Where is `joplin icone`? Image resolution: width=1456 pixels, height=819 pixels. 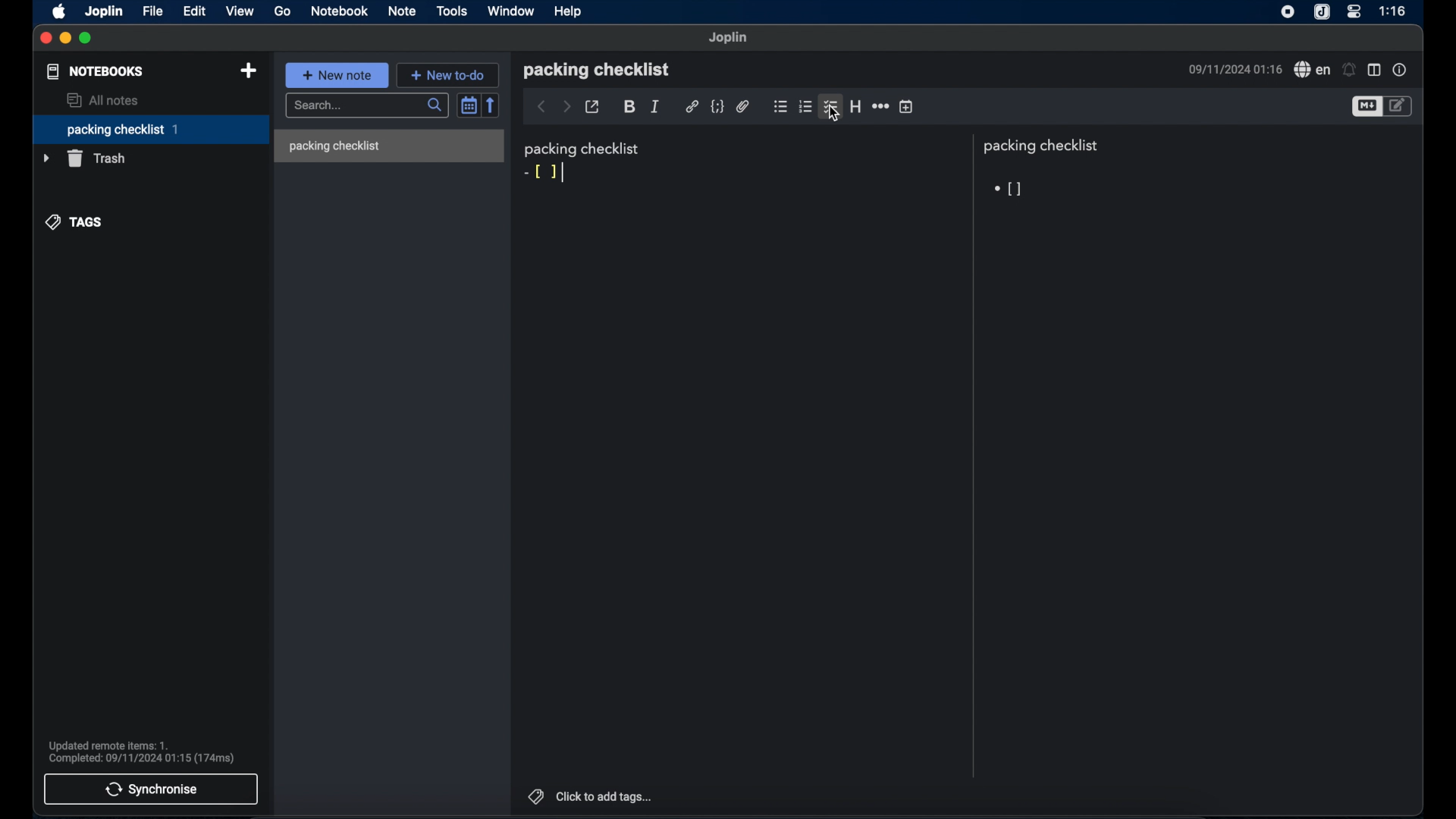 joplin icone is located at coordinates (1322, 12).